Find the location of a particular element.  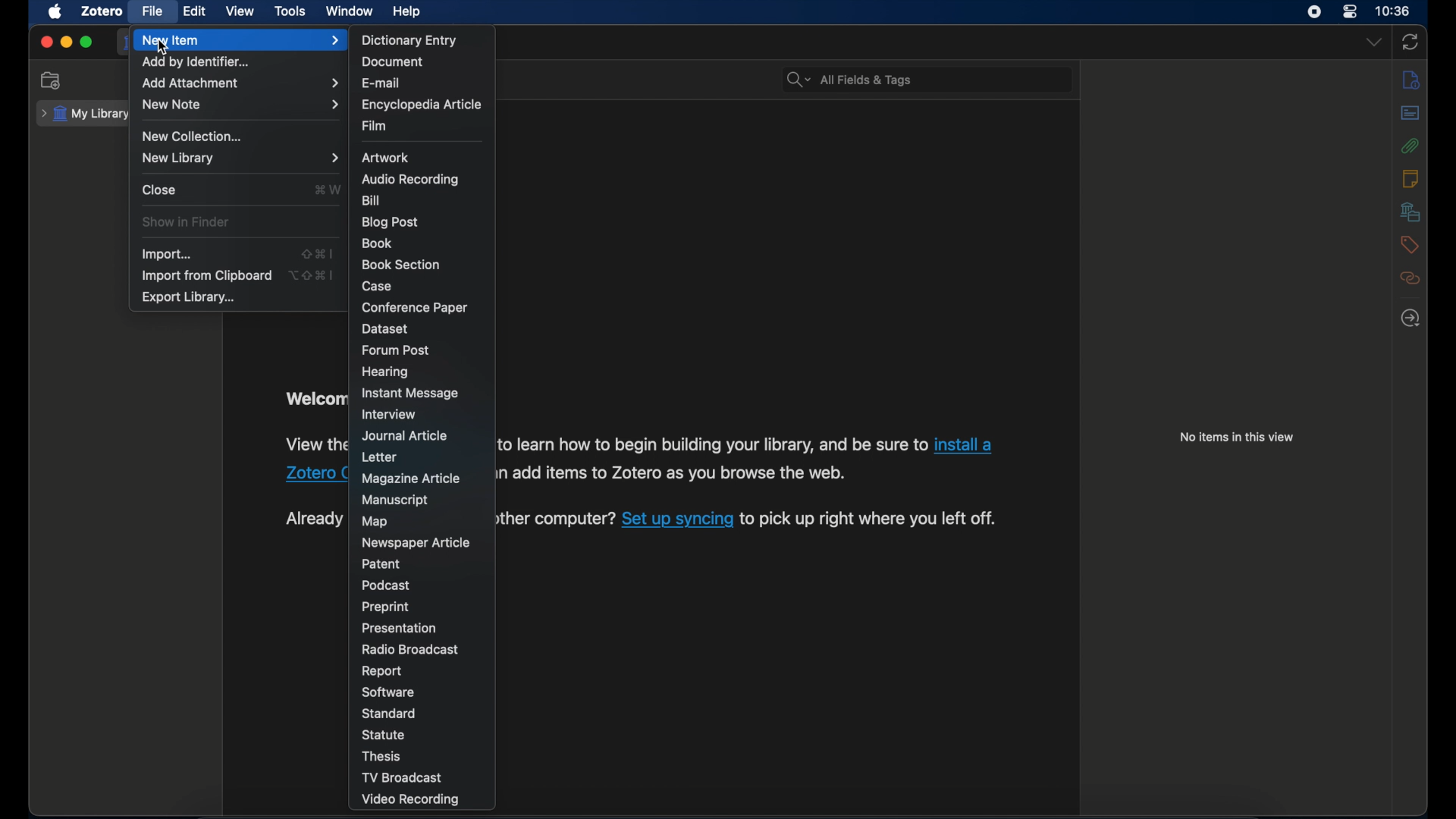

add attachment is located at coordinates (241, 83).